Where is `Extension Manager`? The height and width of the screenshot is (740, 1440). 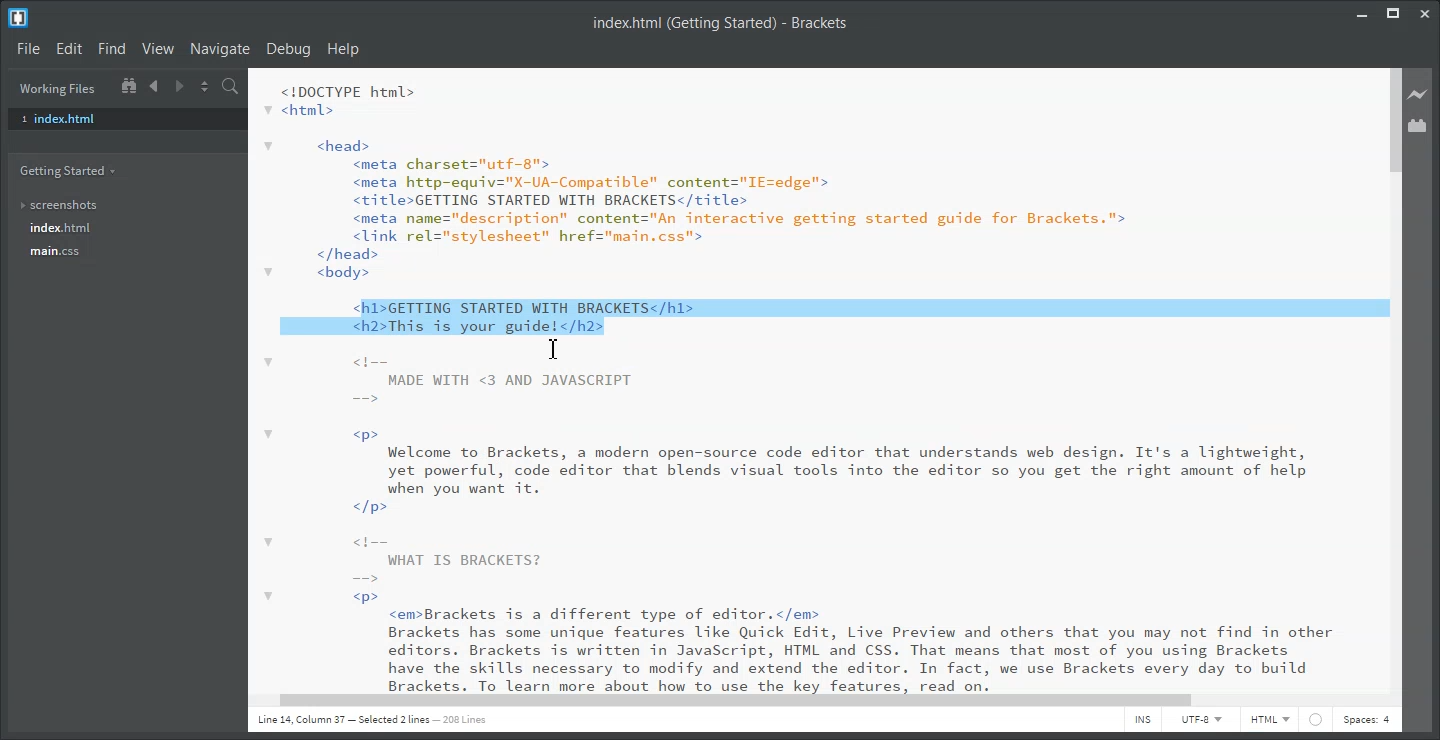
Extension Manager is located at coordinates (1420, 125).